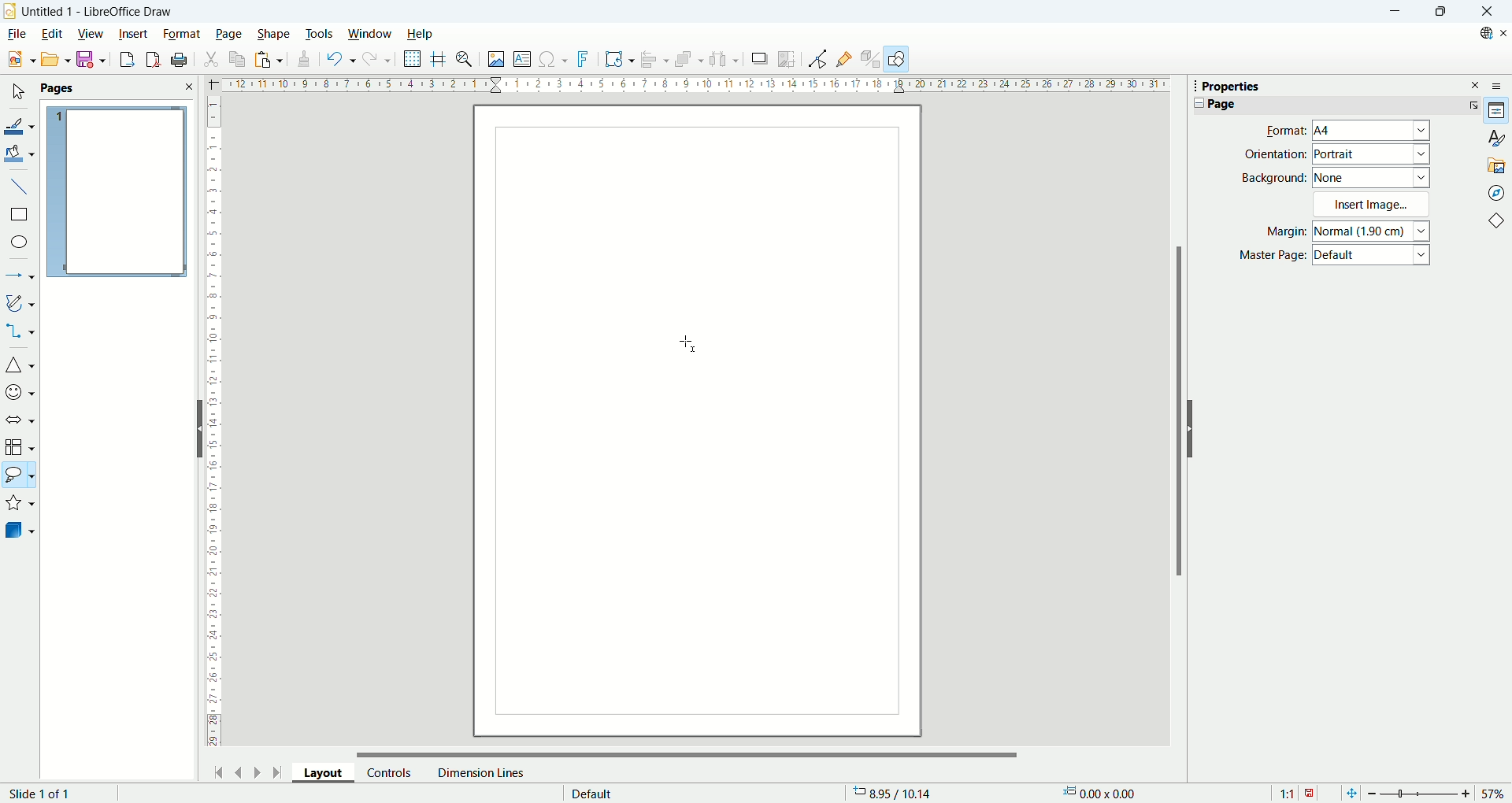 This screenshot has height=803, width=1512. Describe the element at coordinates (691, 61) in the screenshot. I see `arrange` at that location.